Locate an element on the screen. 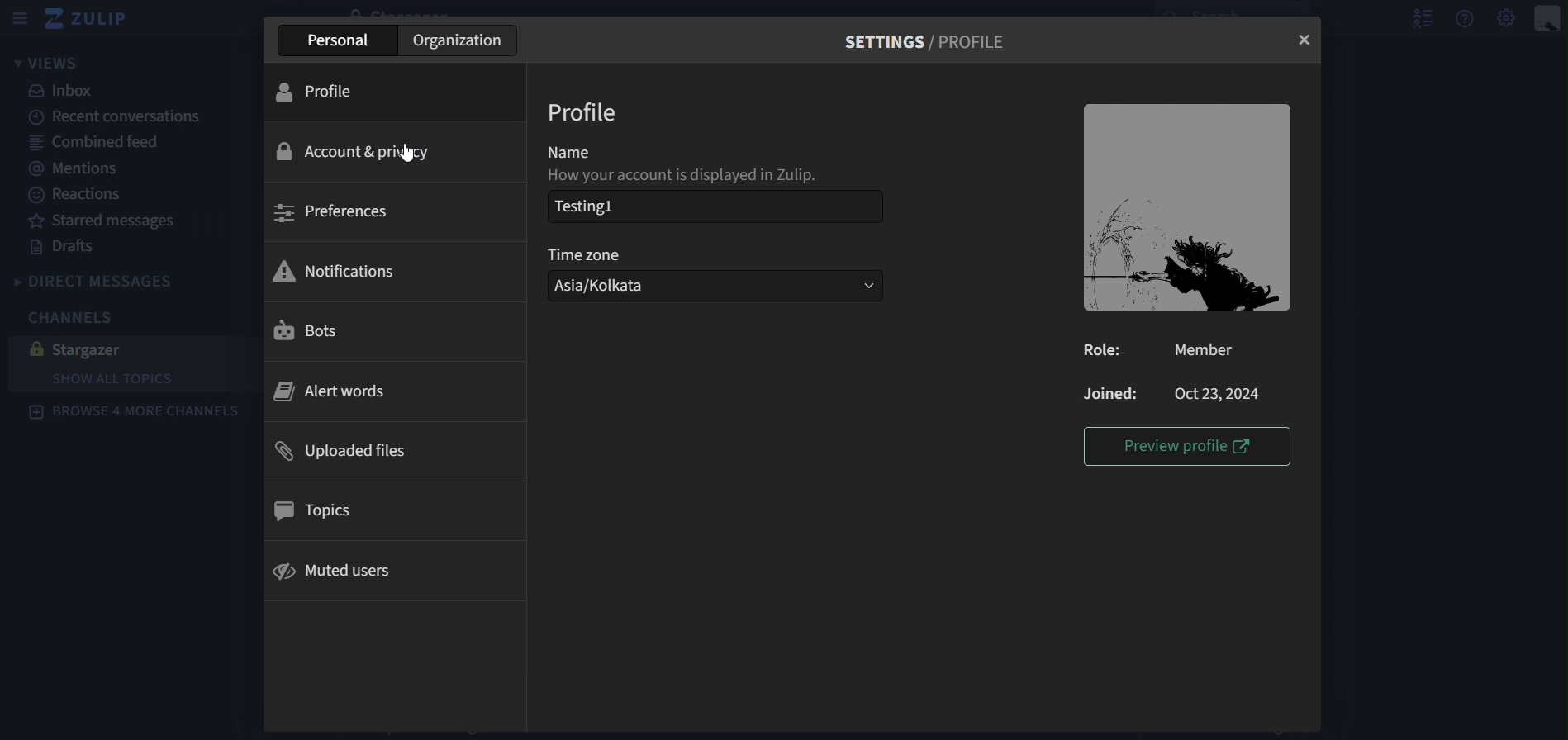  name is located at coordinates (577, 150).